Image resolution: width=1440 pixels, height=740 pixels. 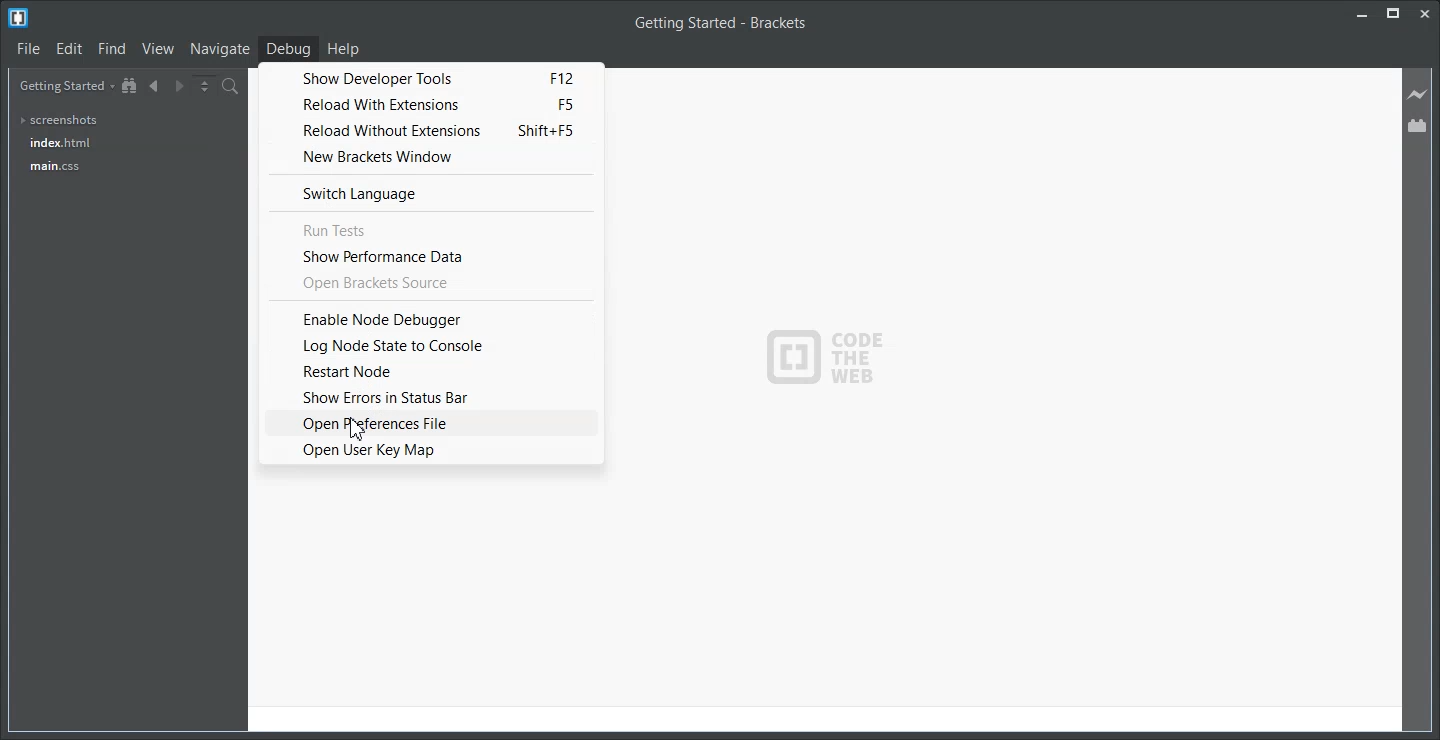 I want to click on Extension Manager, so click(x=1418, y=125).